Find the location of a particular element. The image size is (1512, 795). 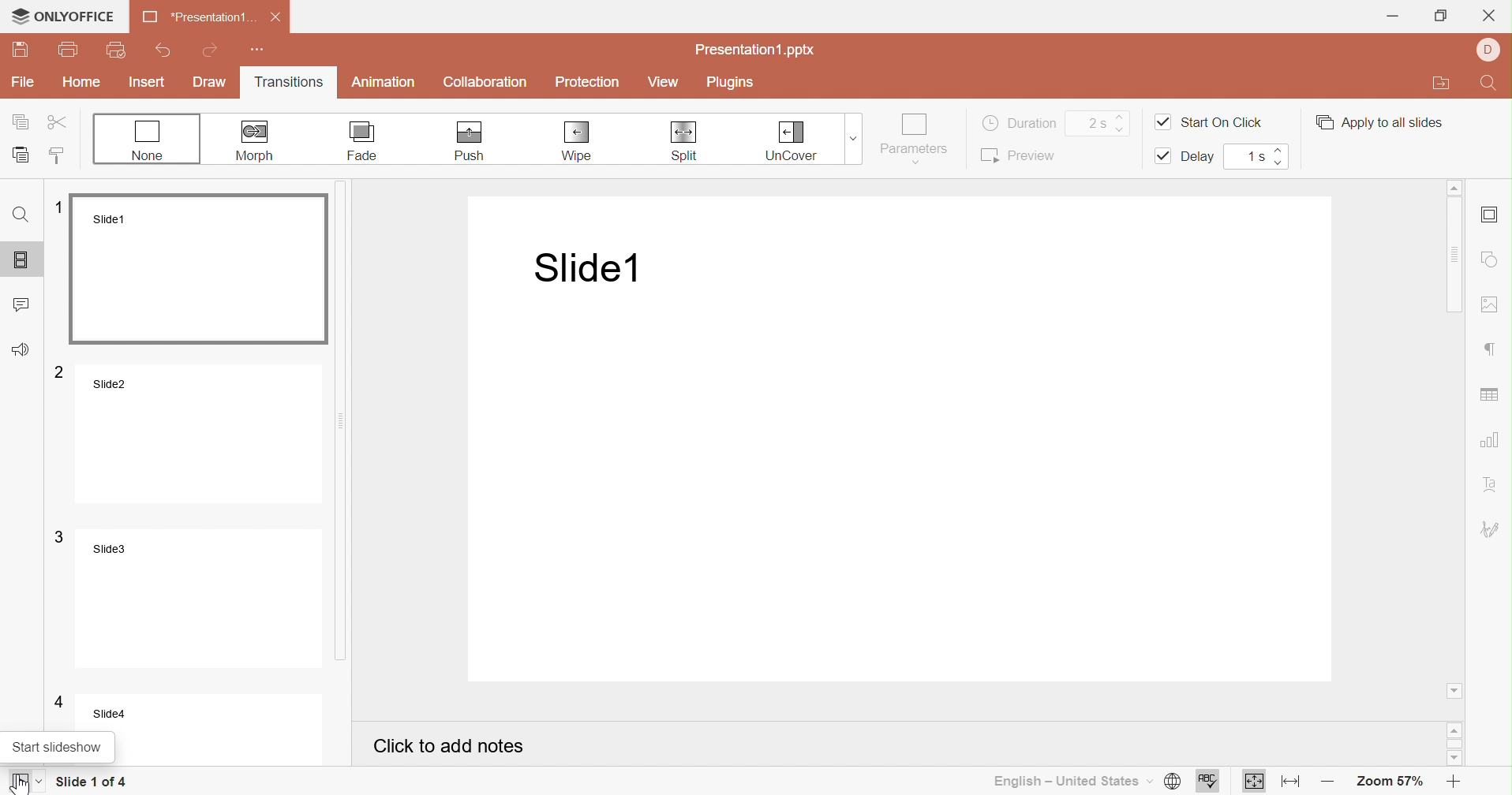

Zoom in is located at coordinates (1454, 784).